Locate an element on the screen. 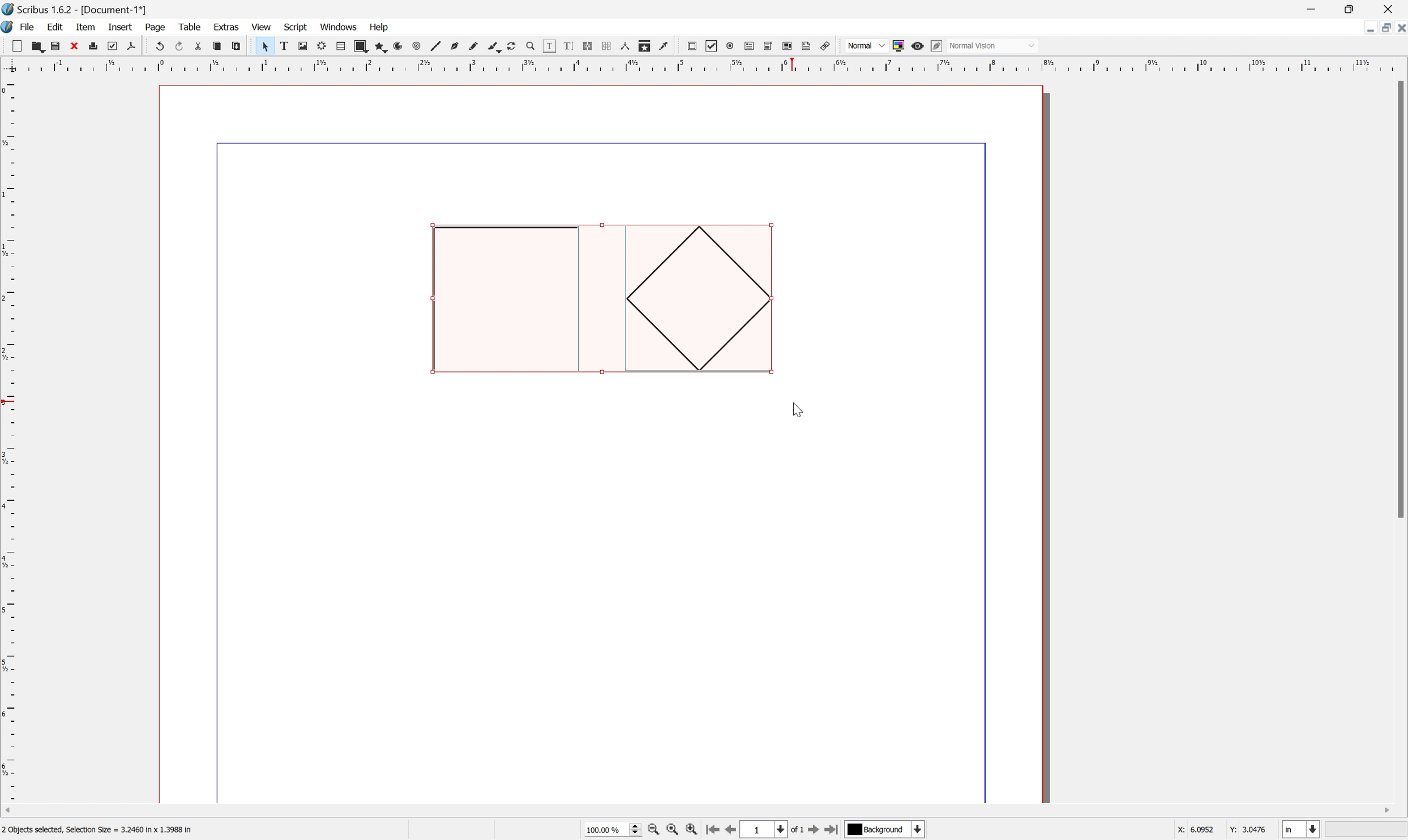  text frame is located at coordinates (281, 46).